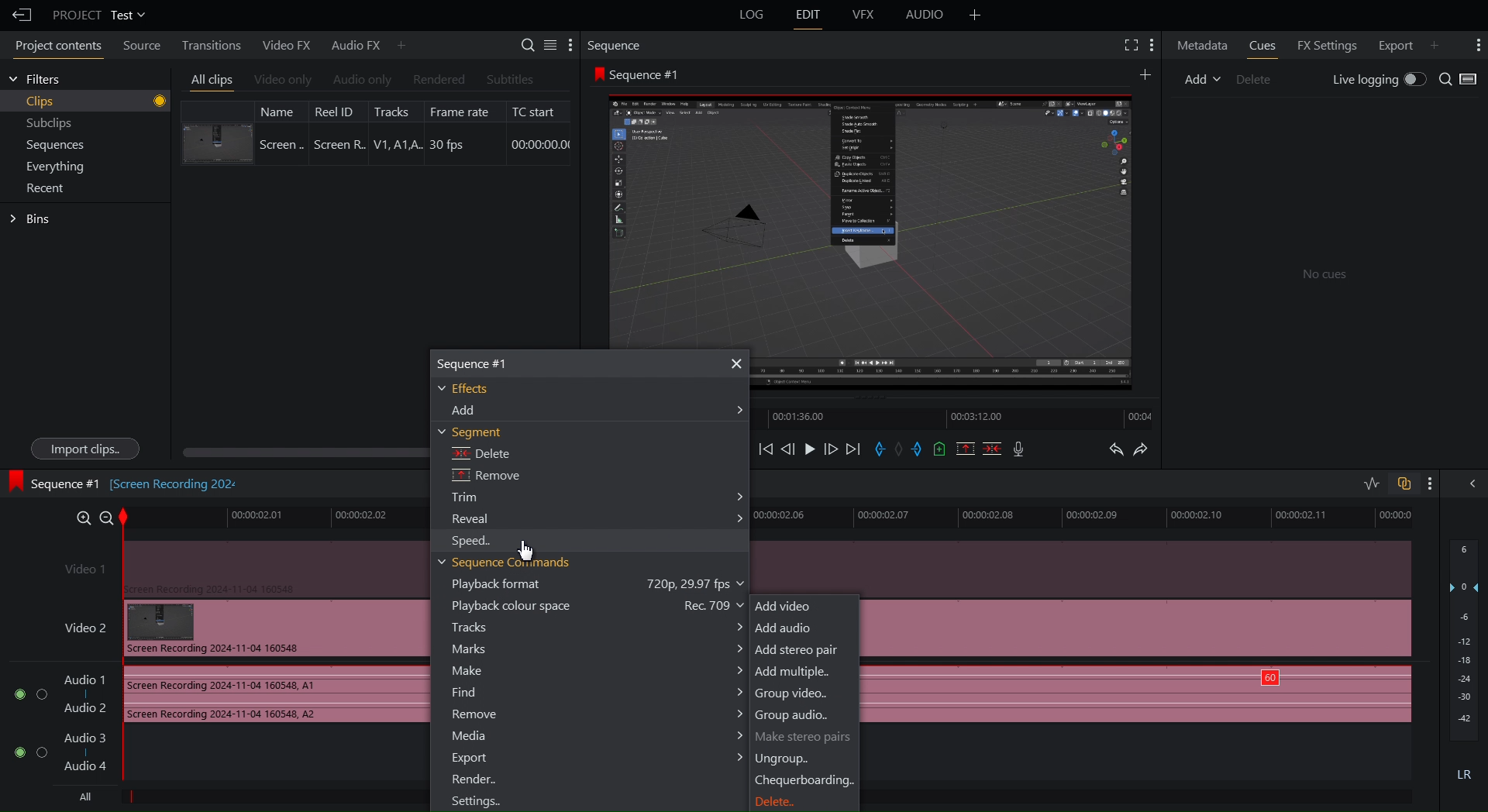  What do you see at coordinates (212, 81) in the screenshot?
I see `All clips` at bounding box center [212, 81].